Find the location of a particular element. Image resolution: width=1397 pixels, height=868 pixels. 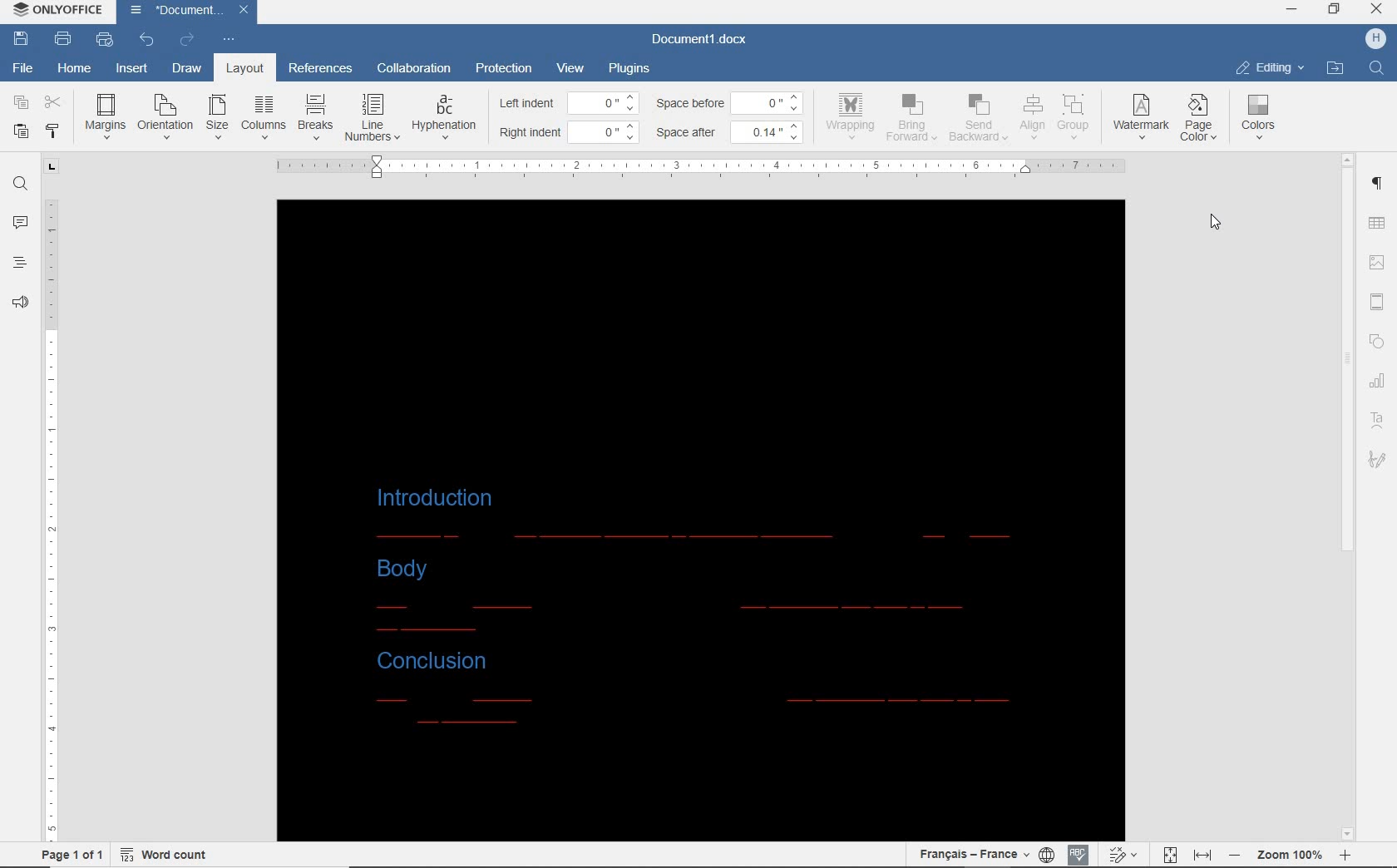

restore down is located at coordinates (1337, 11).